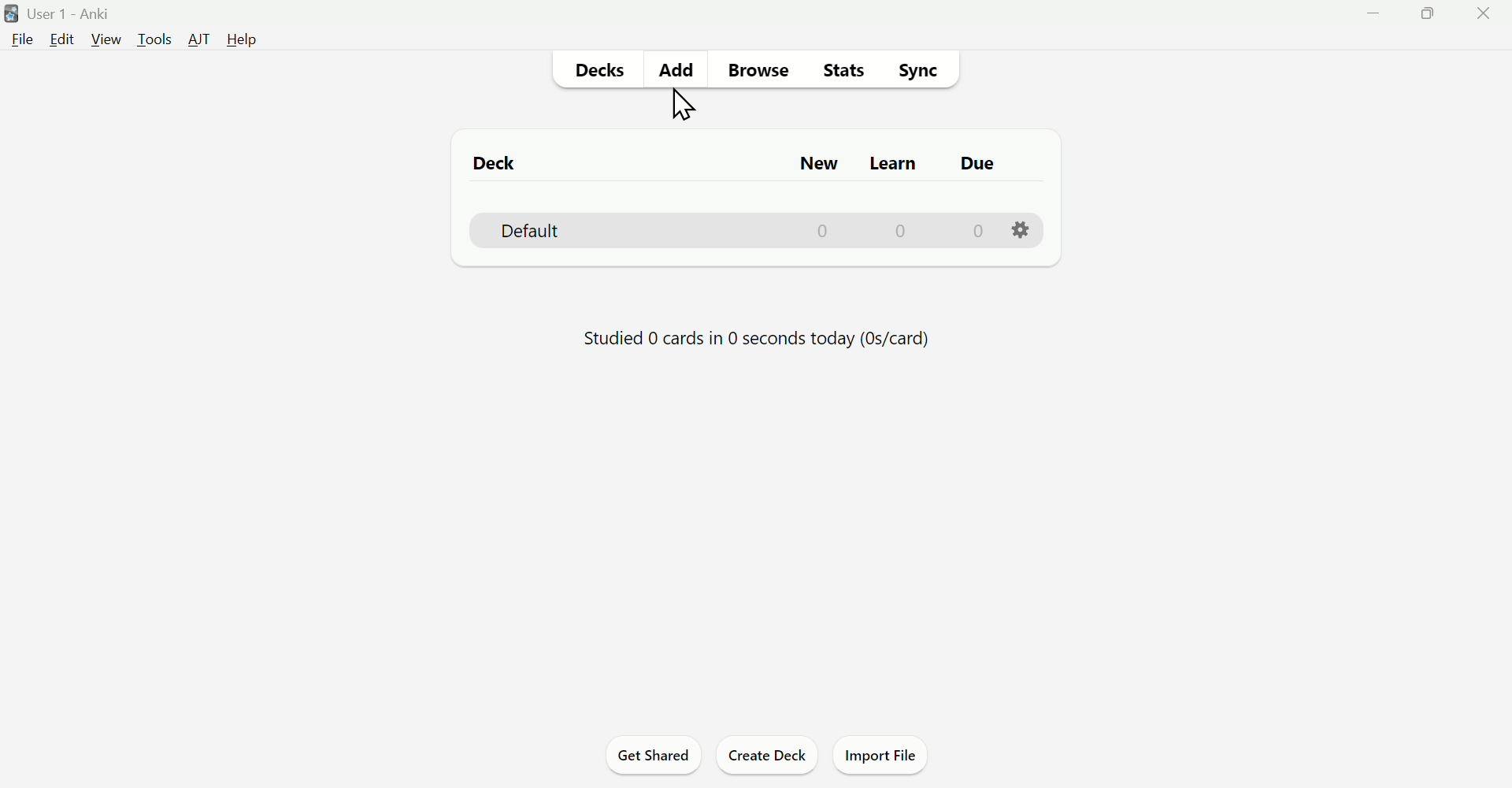 The width and height of the screenshot is (1512, 788). I want to click on Import File, so click(882, 756).